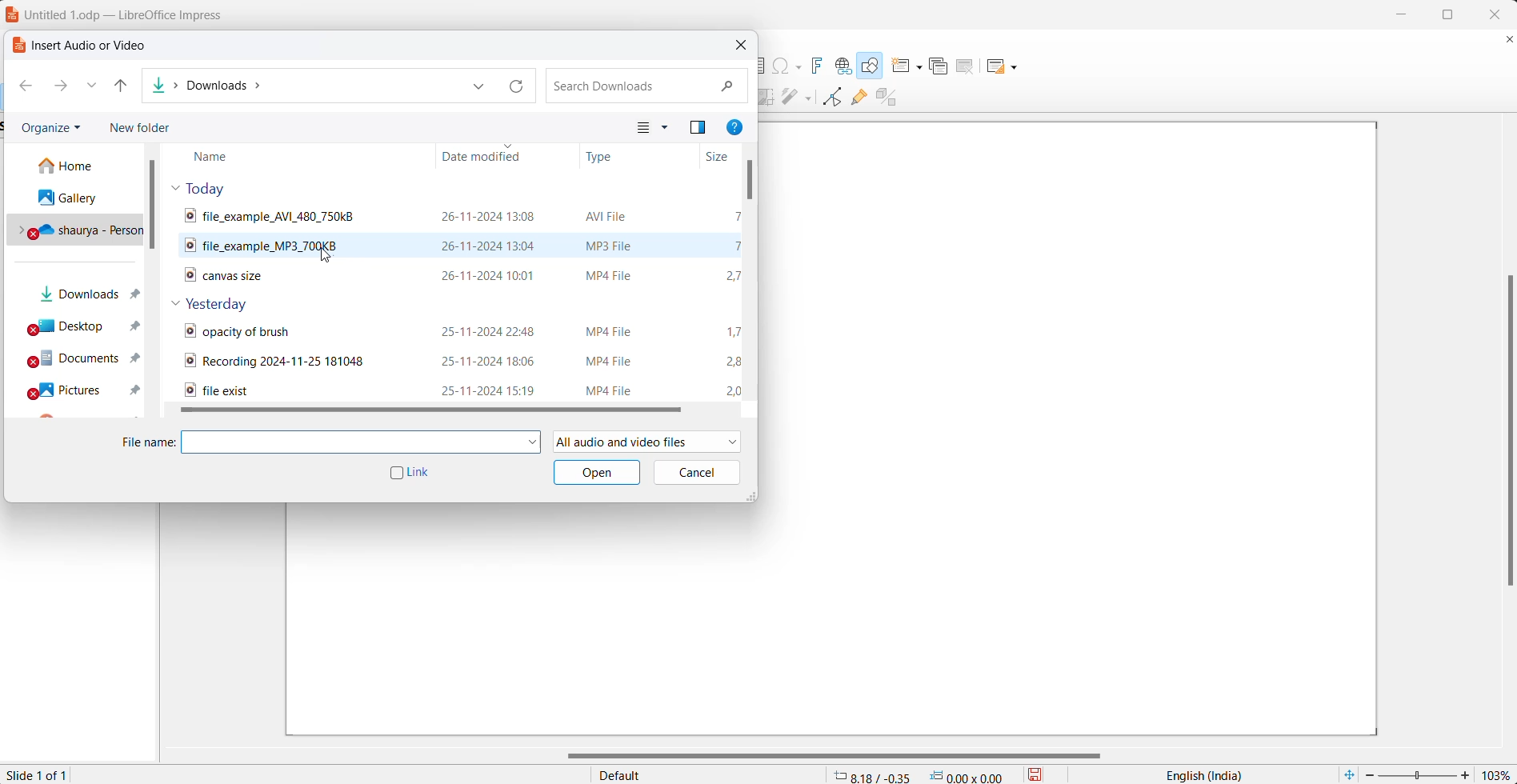 The image size is (1517, 784). What do you see at coordinates (616, 272) in the screenshot?
I see `video file format` at bounding box center [616, 272].